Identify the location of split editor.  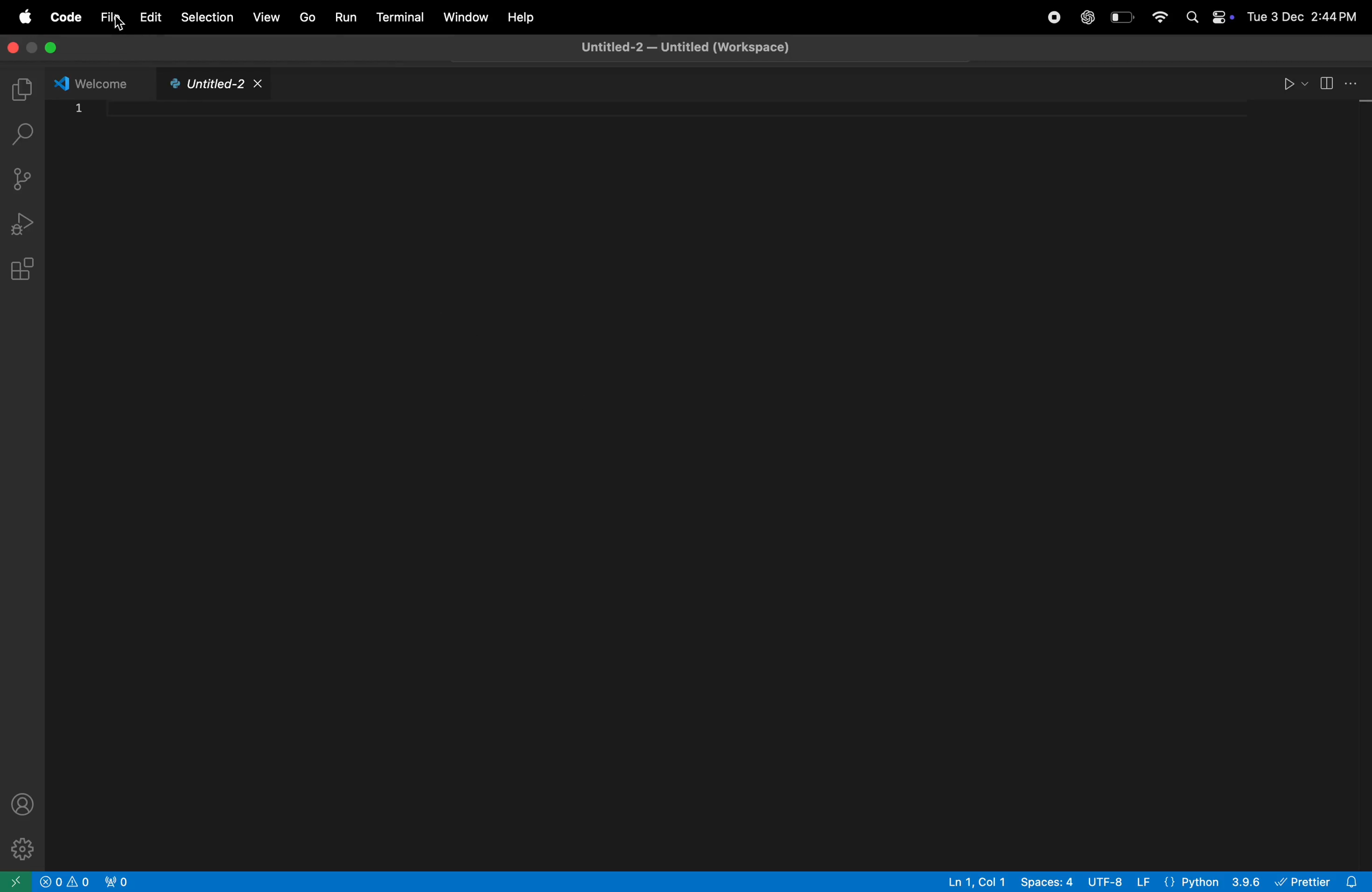
(1338, 82).